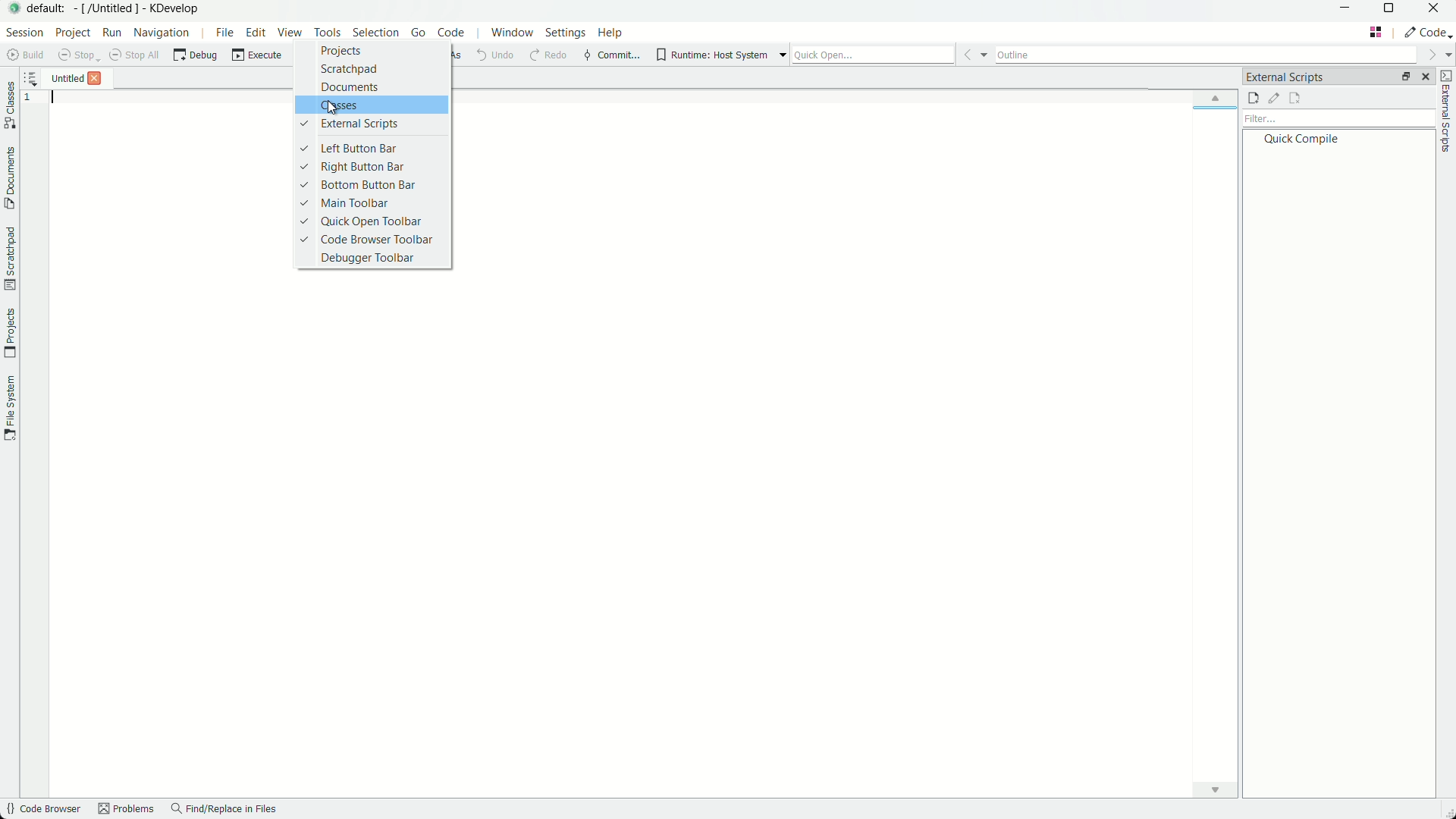  I want to click on code browser, so click(43, 810).